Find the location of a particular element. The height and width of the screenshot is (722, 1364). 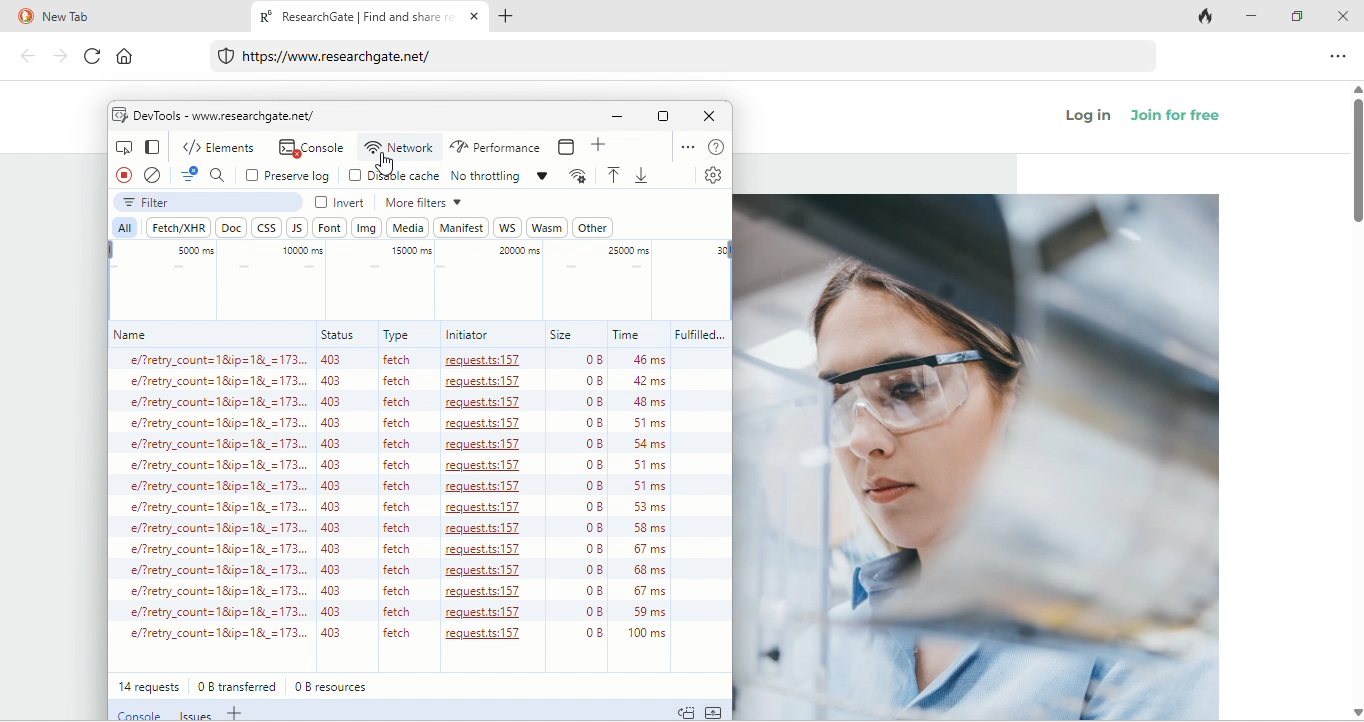

all types: fetch is located at coordinates (404, 509).